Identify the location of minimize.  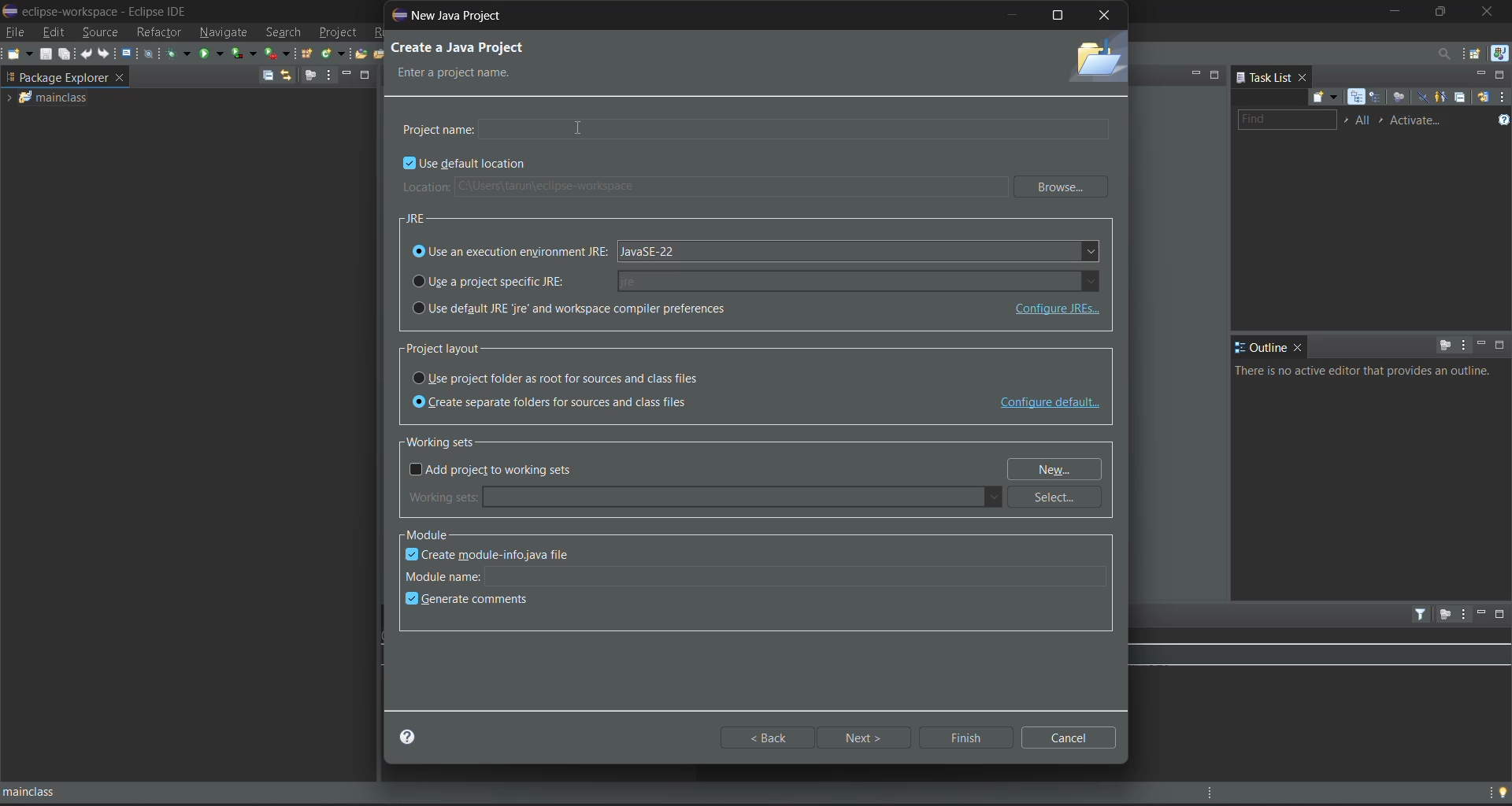
(1393, 13).